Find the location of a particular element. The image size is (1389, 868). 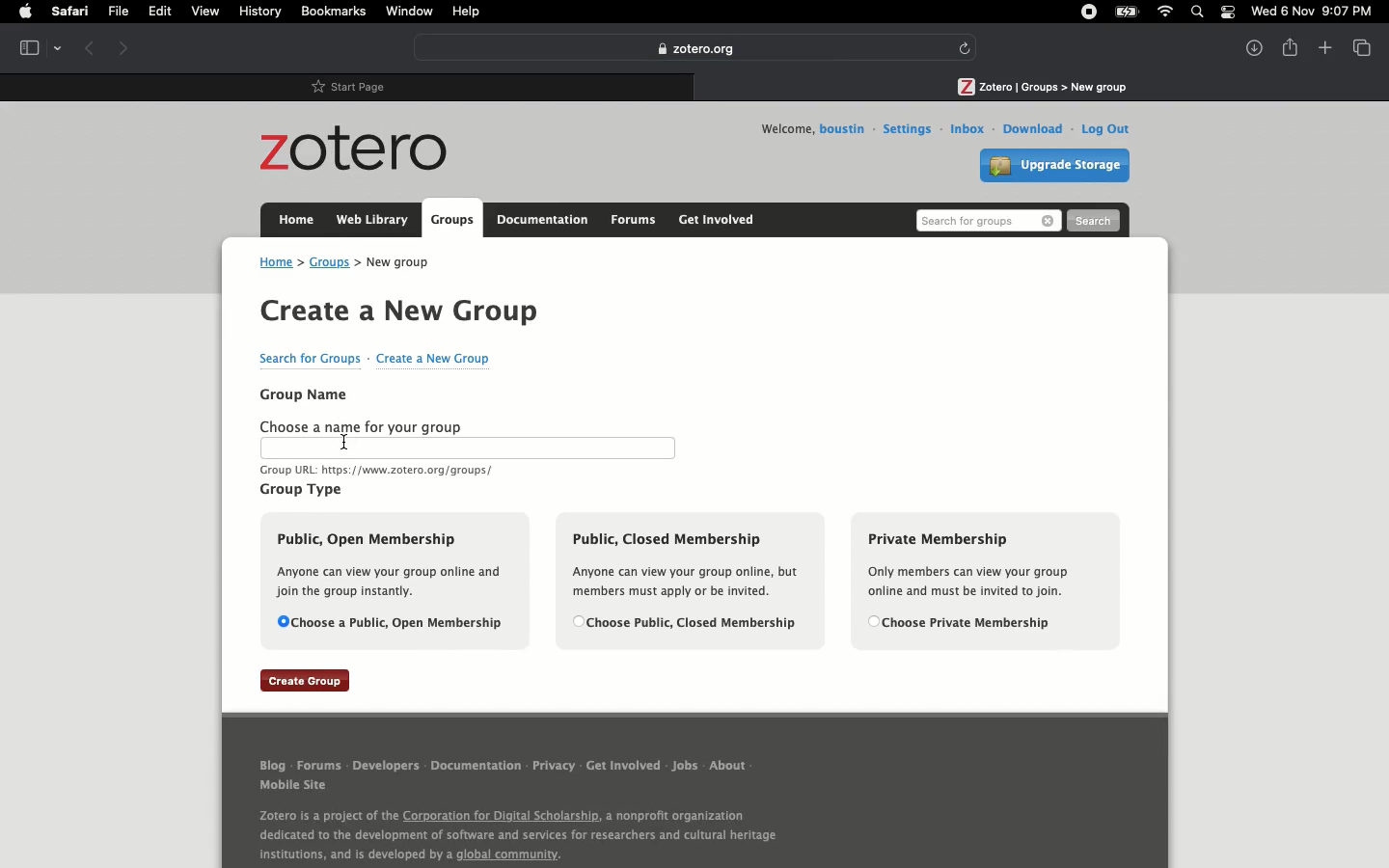

Forward is located at coordinates (123, 46).